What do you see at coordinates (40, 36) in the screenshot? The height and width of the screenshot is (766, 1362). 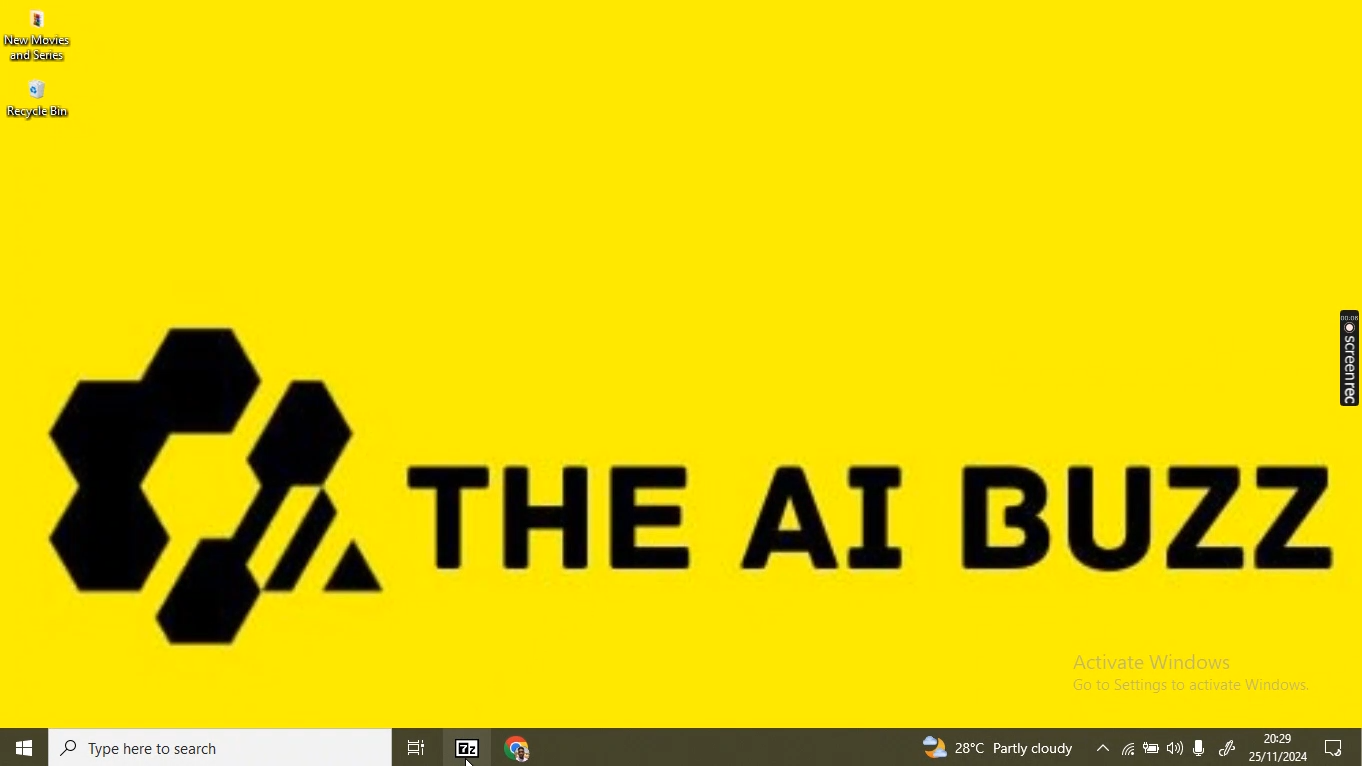 I see `New Movies and Series` at bounding box center [40, 36].